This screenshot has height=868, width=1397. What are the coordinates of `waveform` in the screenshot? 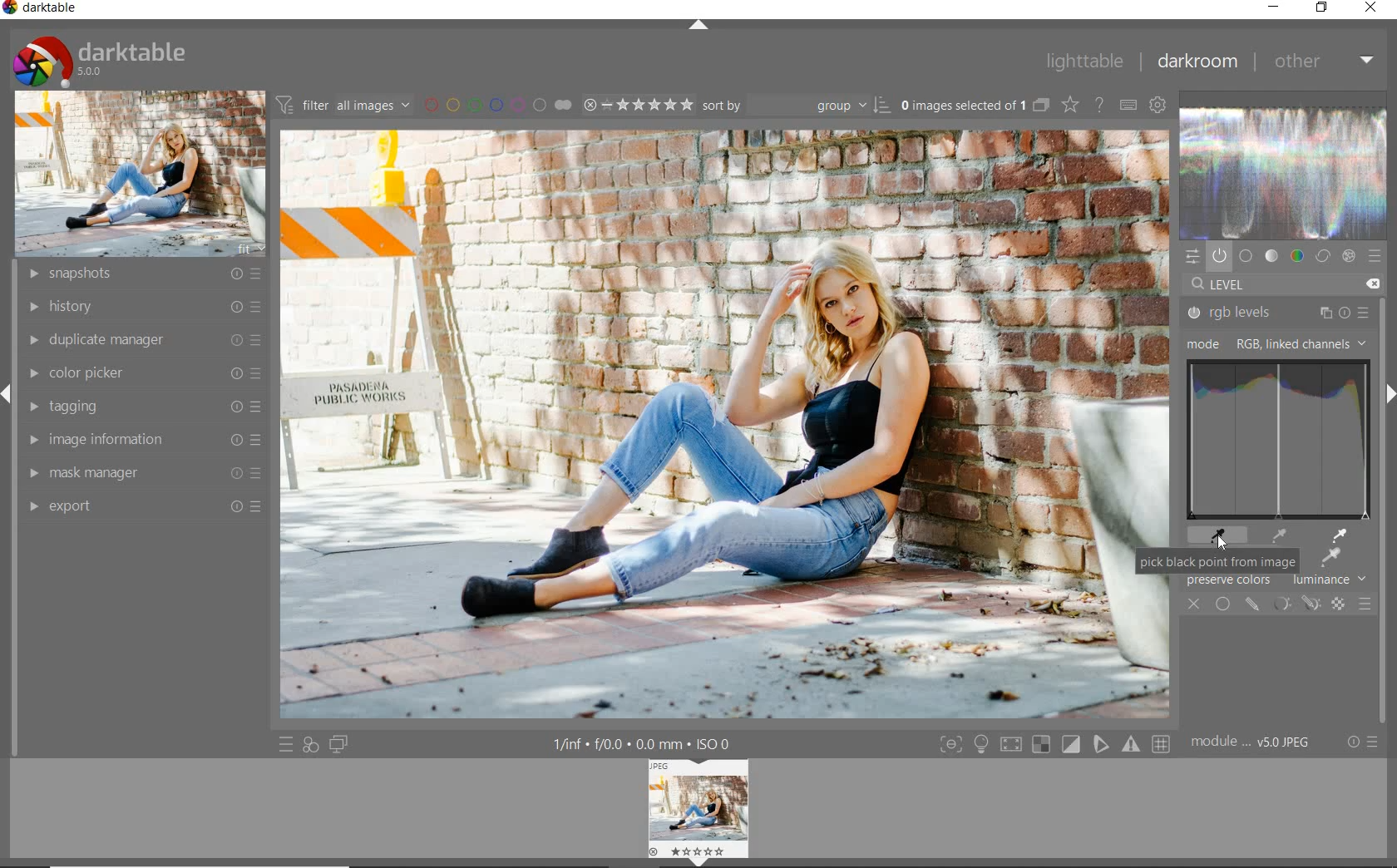 It's located at (1285, 172).